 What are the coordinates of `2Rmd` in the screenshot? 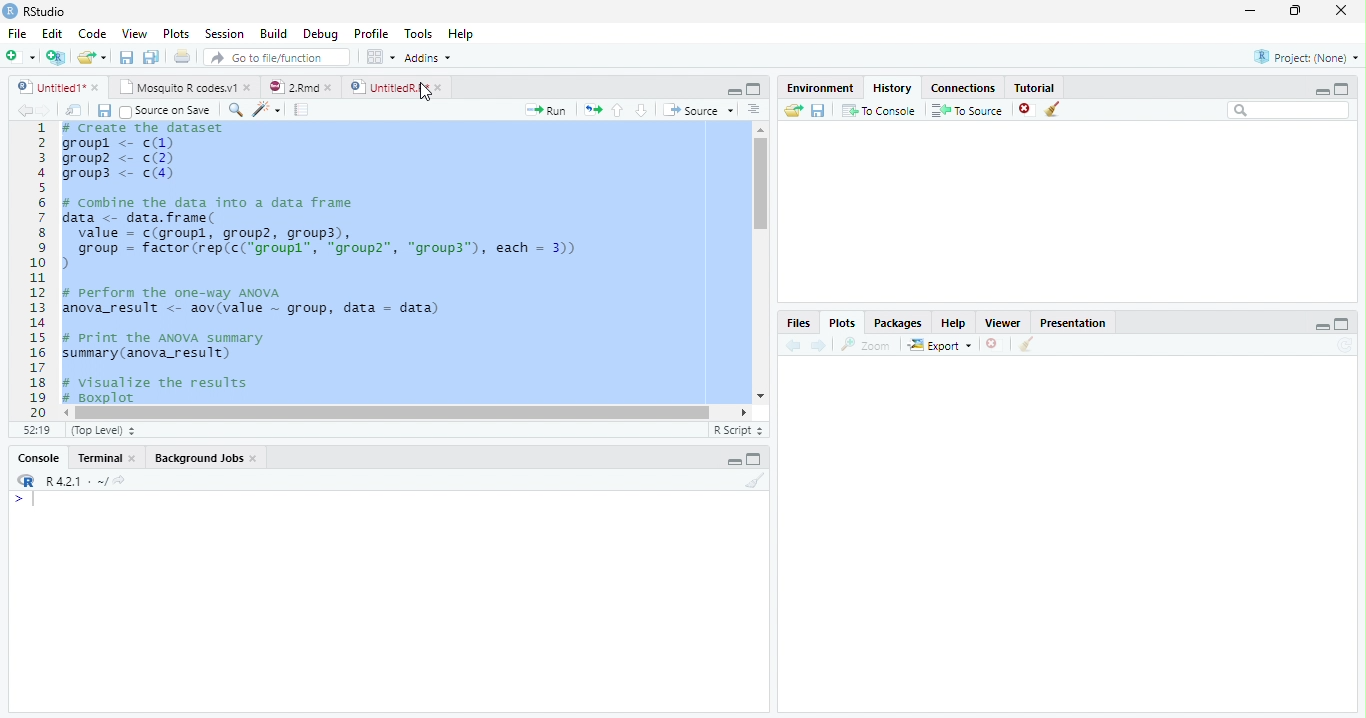 It's located at (299, 85).